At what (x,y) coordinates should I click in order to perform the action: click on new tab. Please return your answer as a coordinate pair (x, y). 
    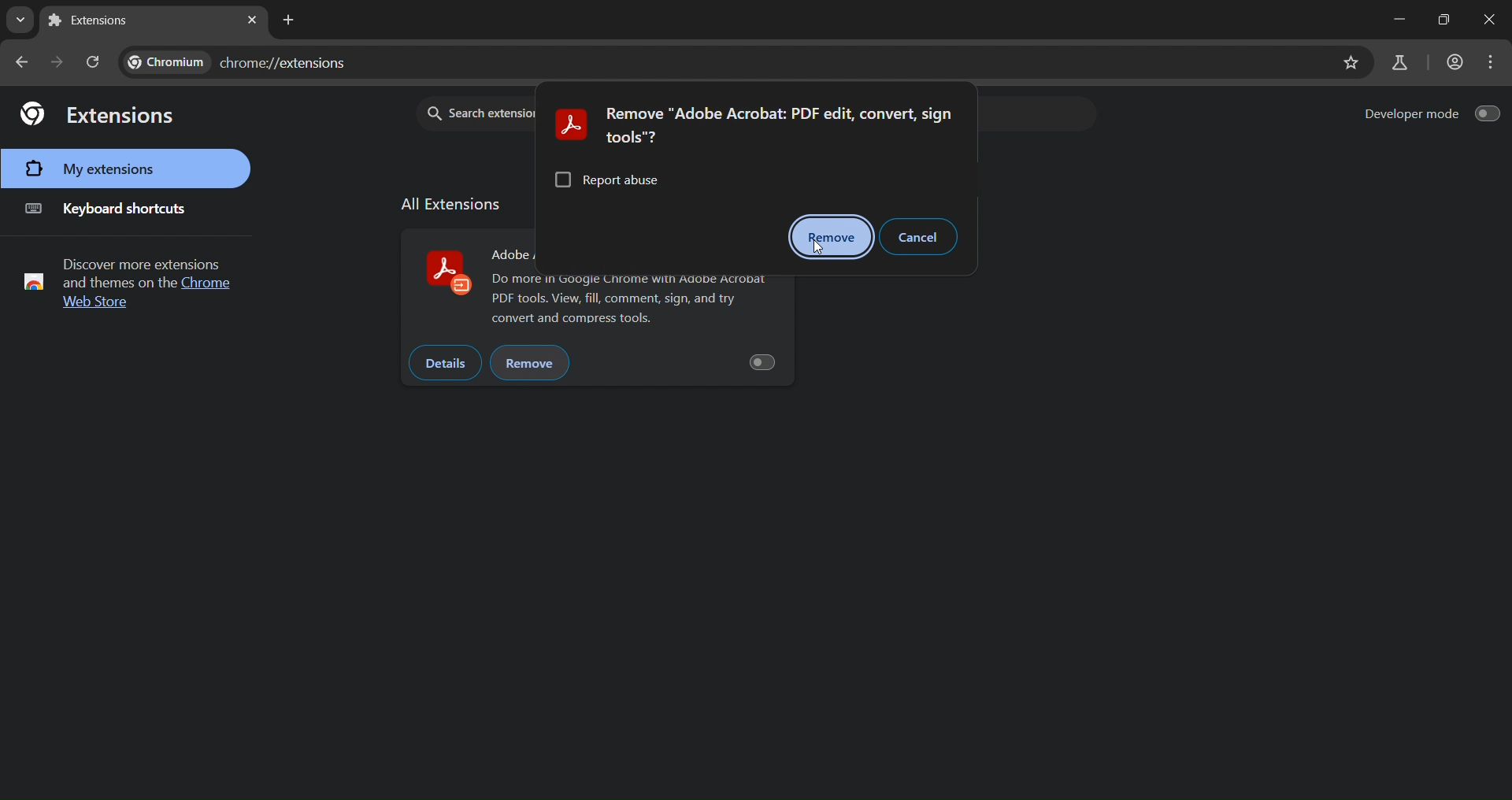
    Looking at the image, I should click on (287, 20).